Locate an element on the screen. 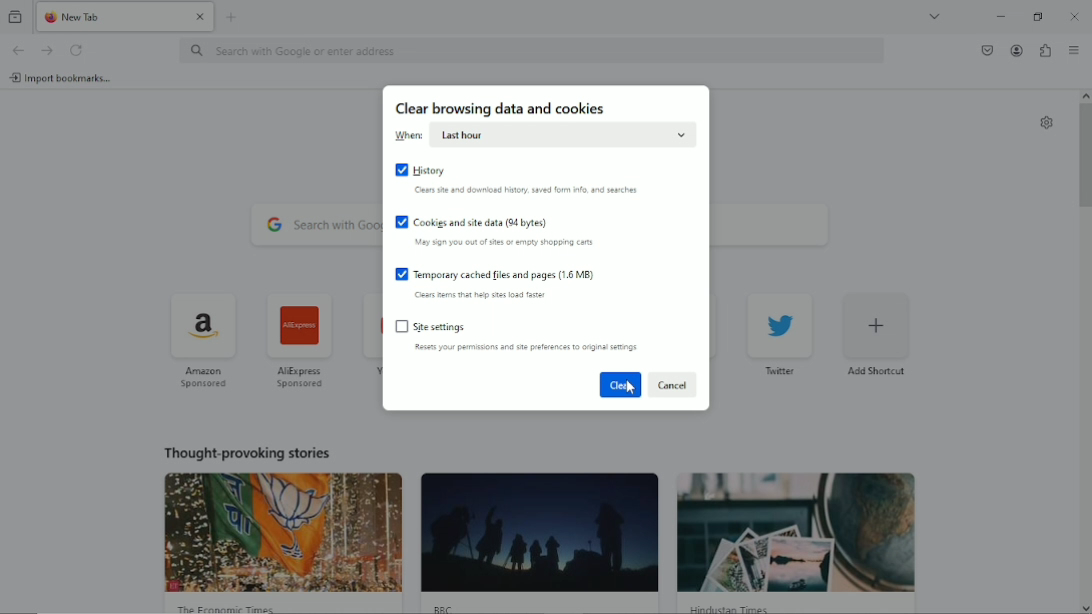 The width and height of the screenshot is (1092, 614). Site settings is located at coordinates (435, 327).